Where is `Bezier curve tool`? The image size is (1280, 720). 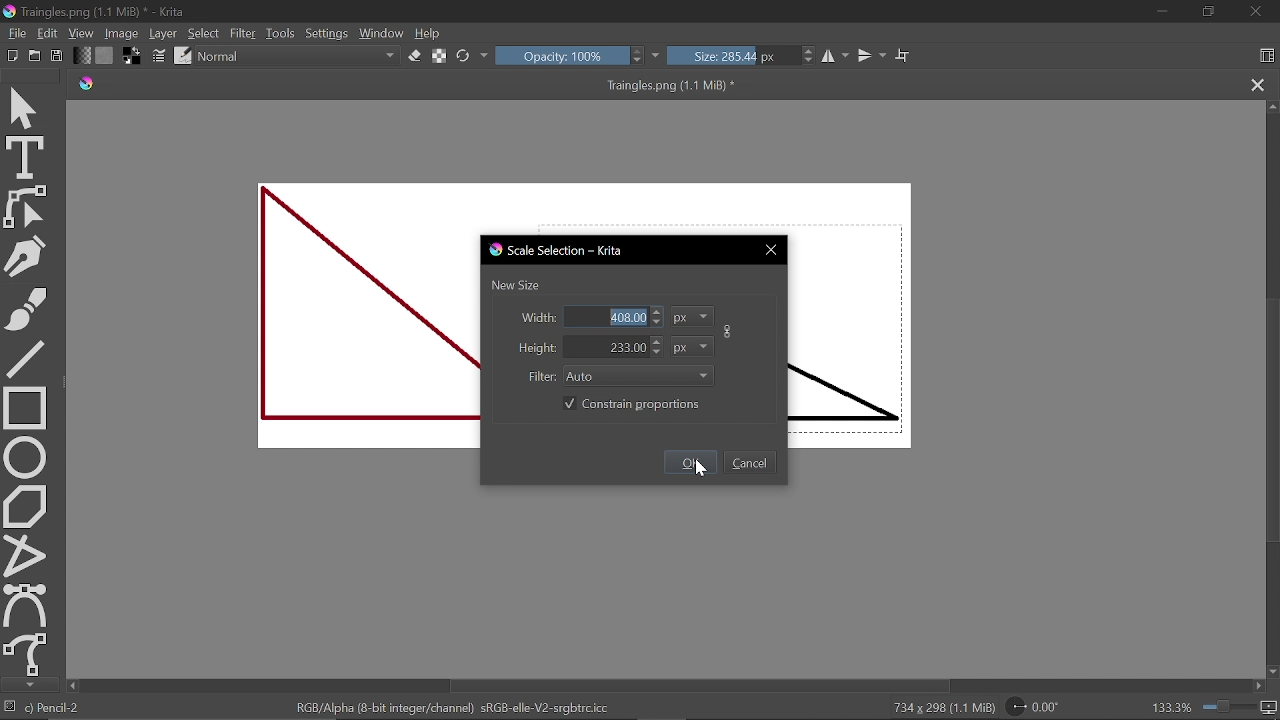 Bezier curve tool is located at coordinates (26, 604).